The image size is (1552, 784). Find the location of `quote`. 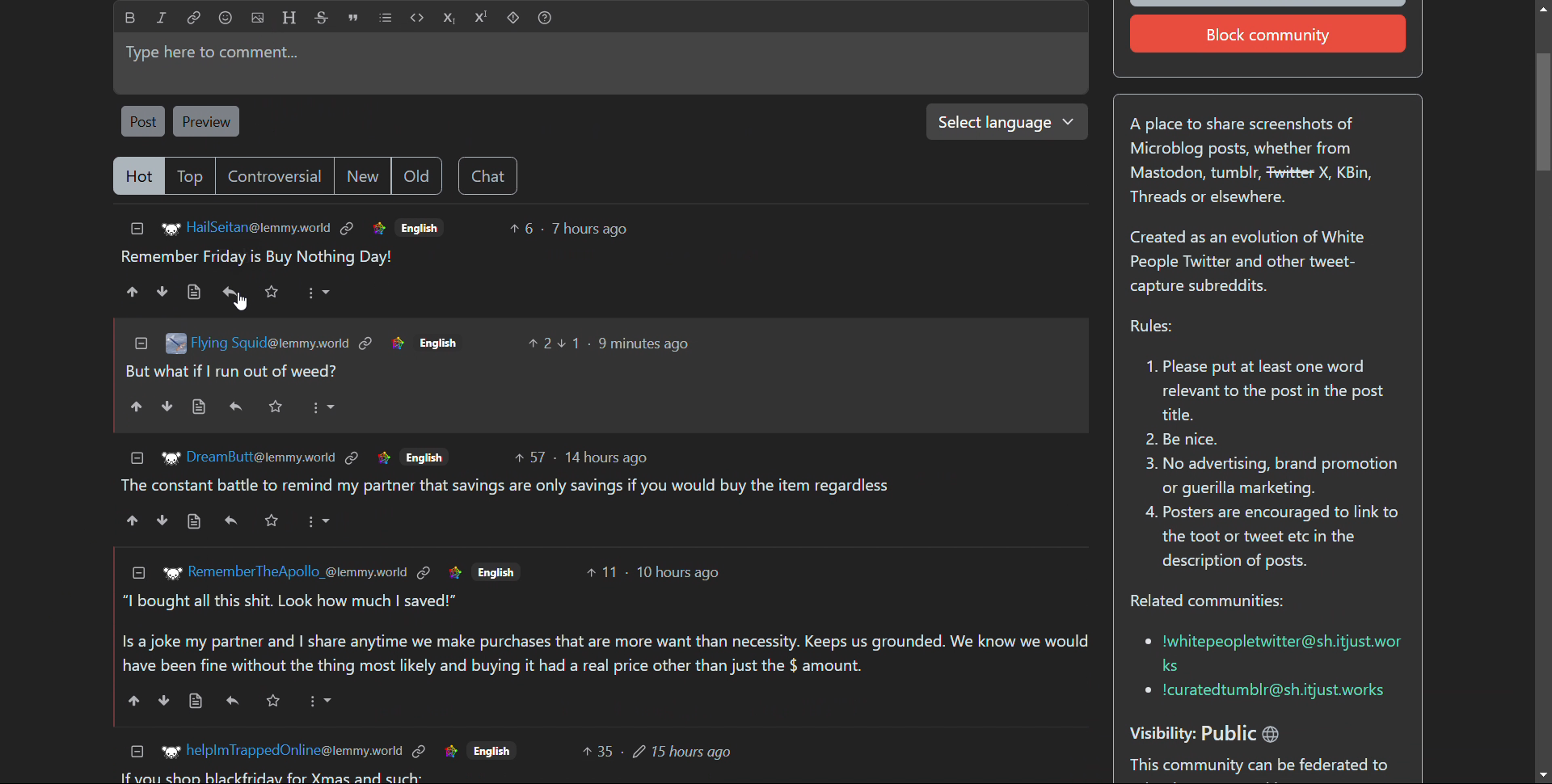

quote is located at coordinates (352, 18).